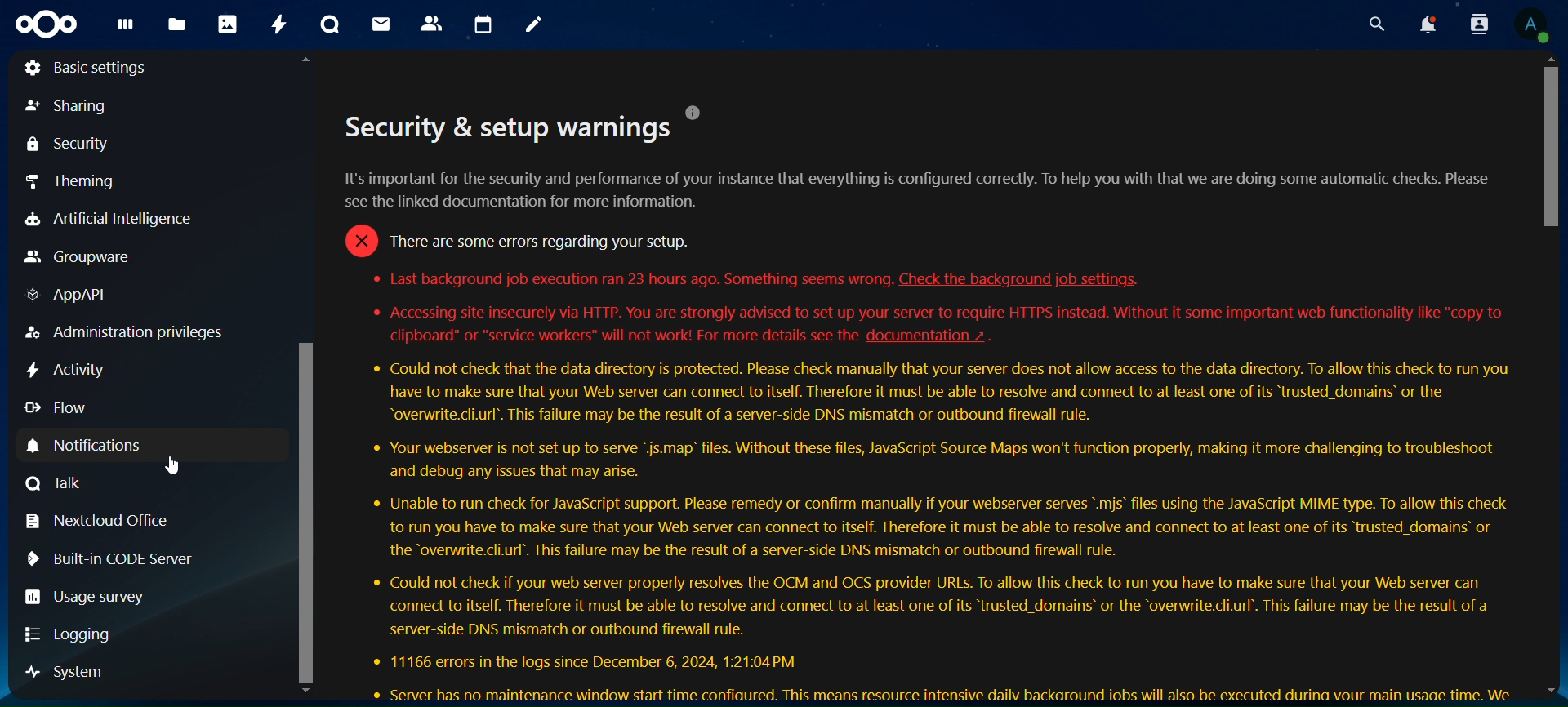  I want to click on security, so click(69, 145).